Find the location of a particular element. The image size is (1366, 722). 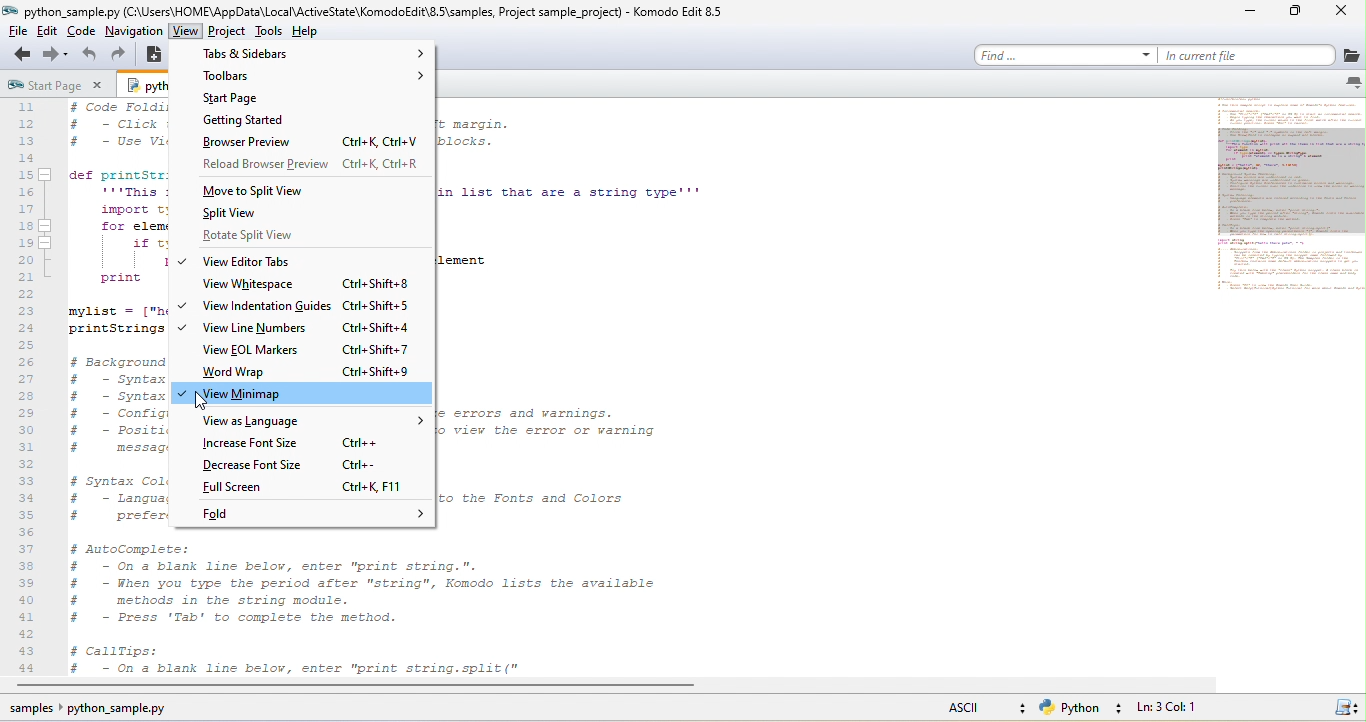

tools is located at coordinates (271, 33).